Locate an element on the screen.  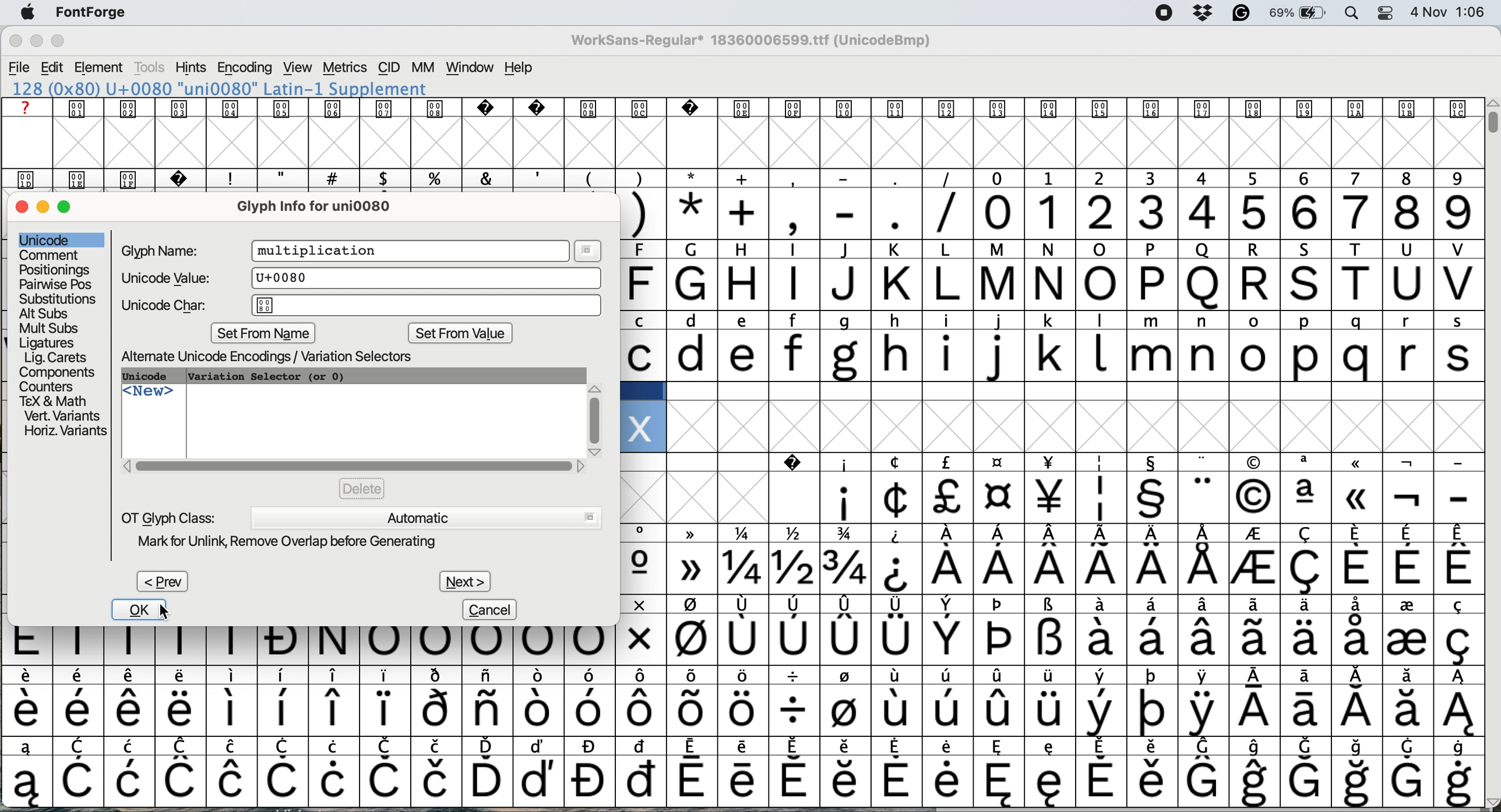
comment is located at coordinates (49, 255).